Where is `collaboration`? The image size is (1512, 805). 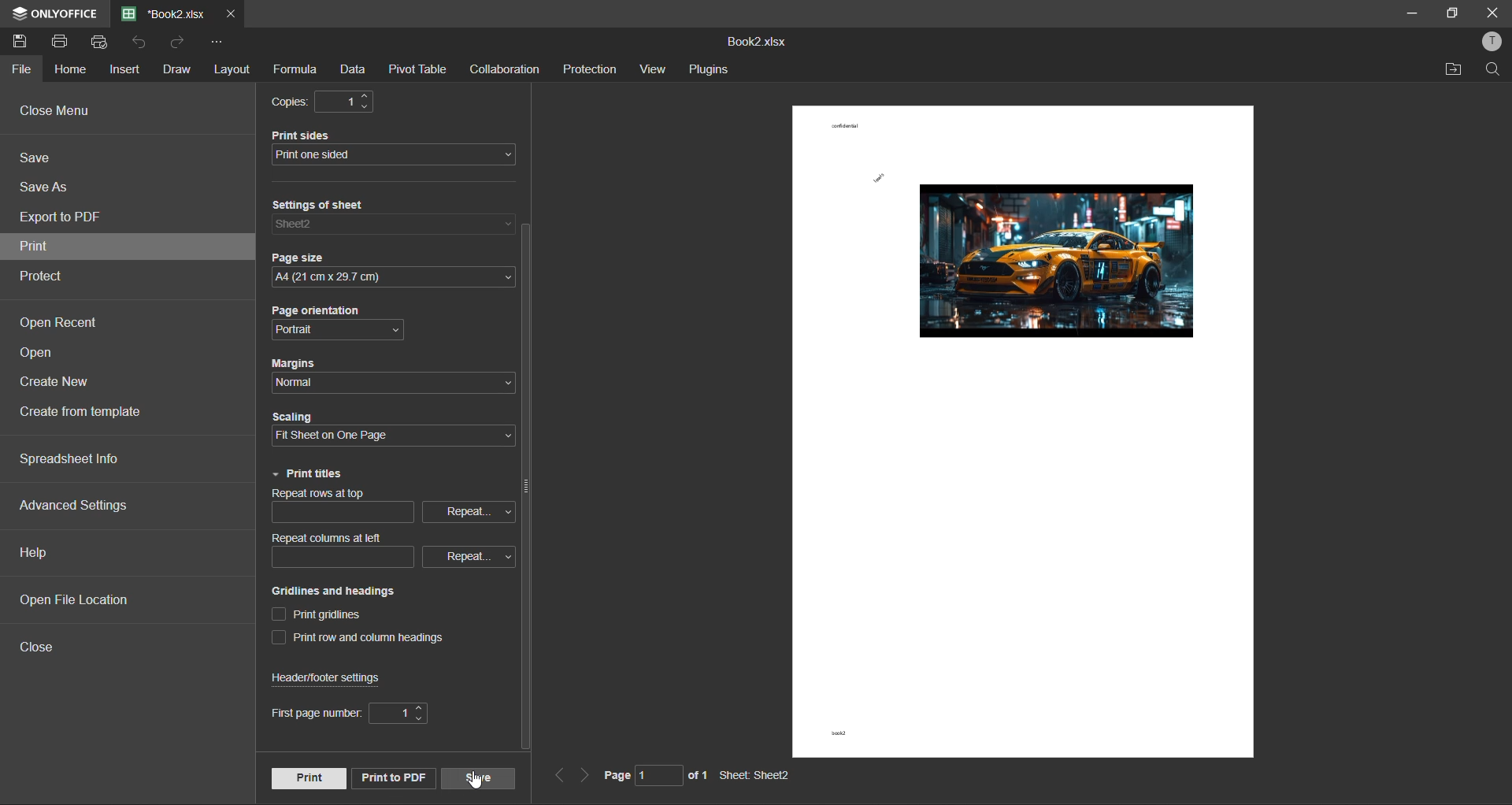
collaboration is located at coordinates (508, 70).